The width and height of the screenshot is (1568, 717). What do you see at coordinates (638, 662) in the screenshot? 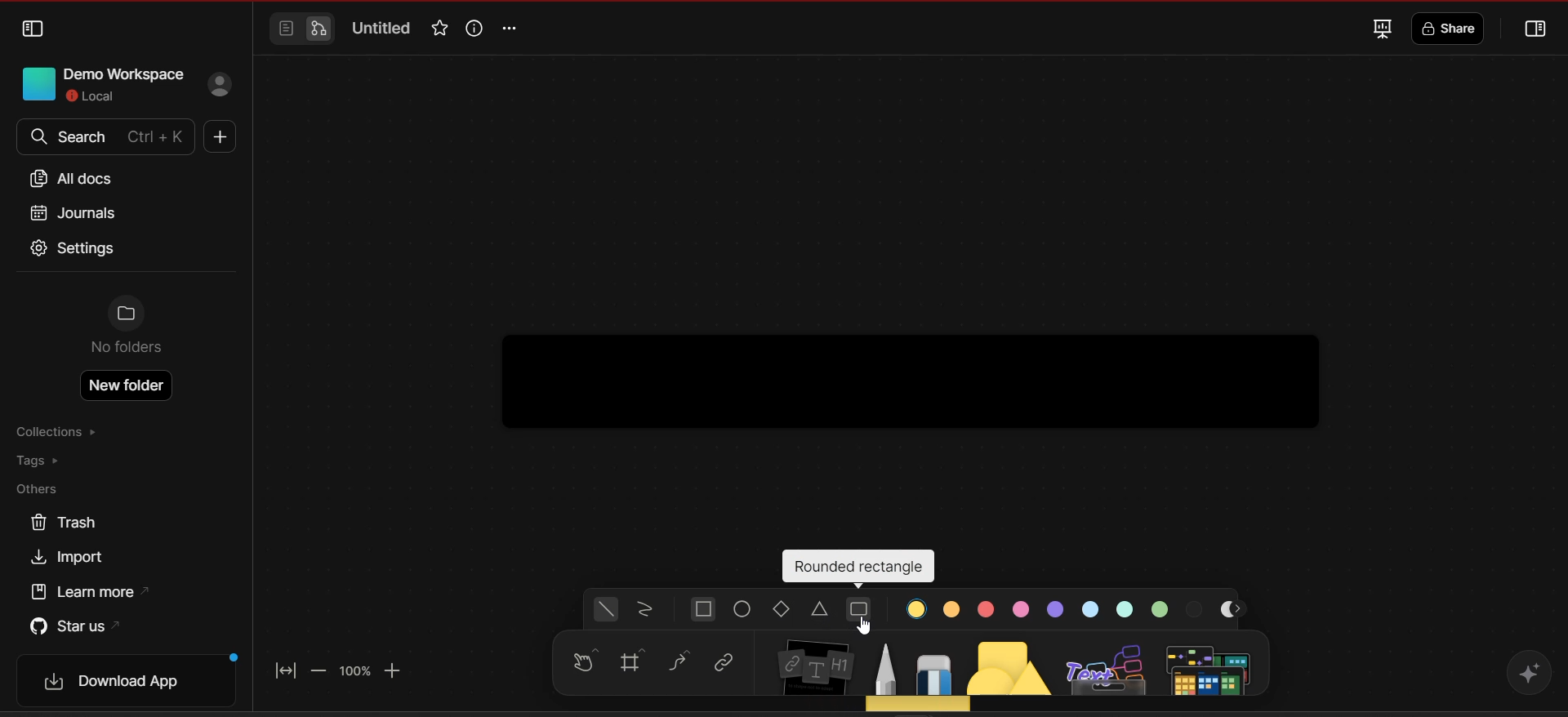
I see `frame` at bounding box center [638, 662].